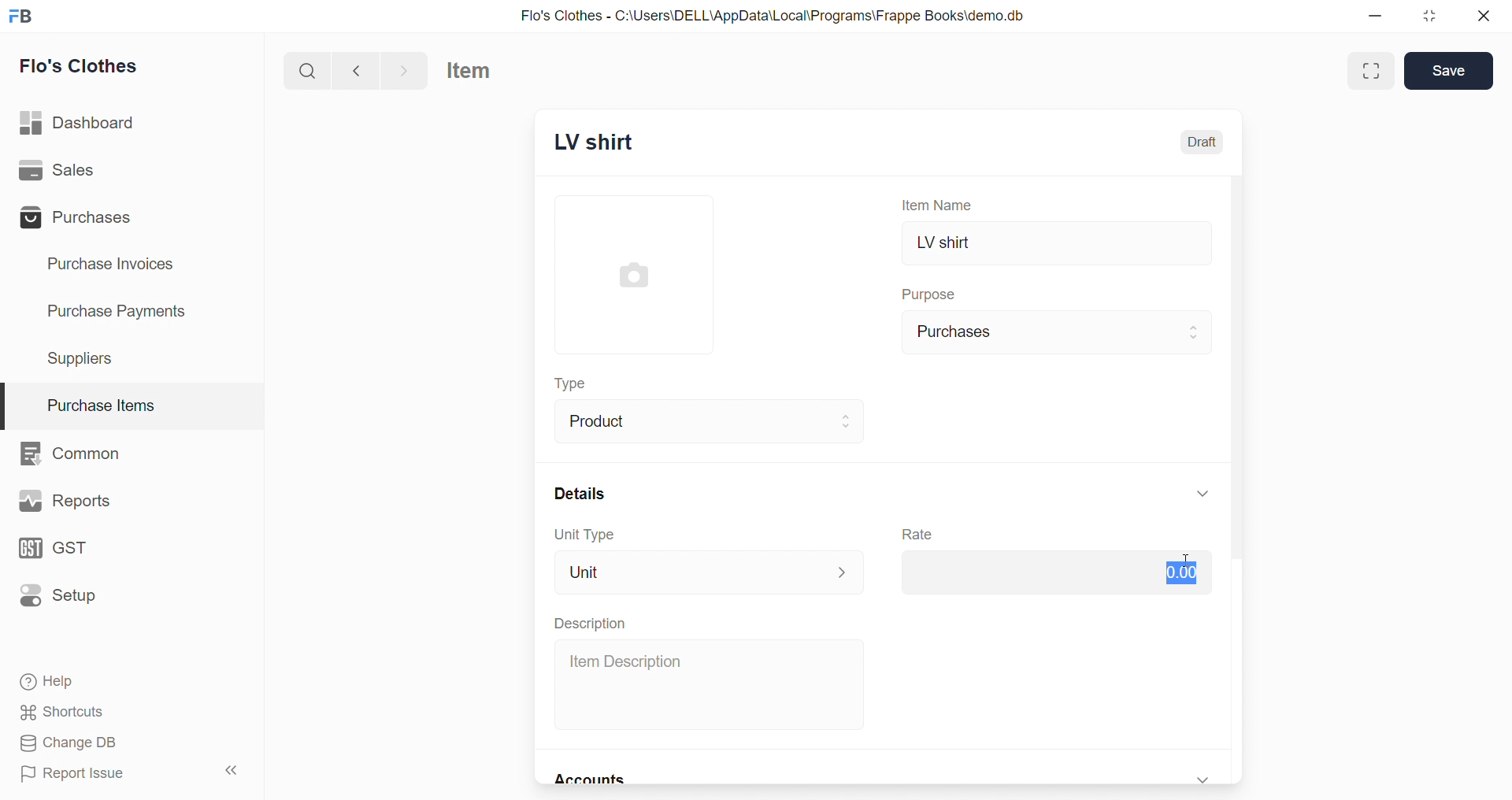  What do you see at coordinates (480, 71) in the screenshot?
I see `Item` at bounding box center [480, 71].